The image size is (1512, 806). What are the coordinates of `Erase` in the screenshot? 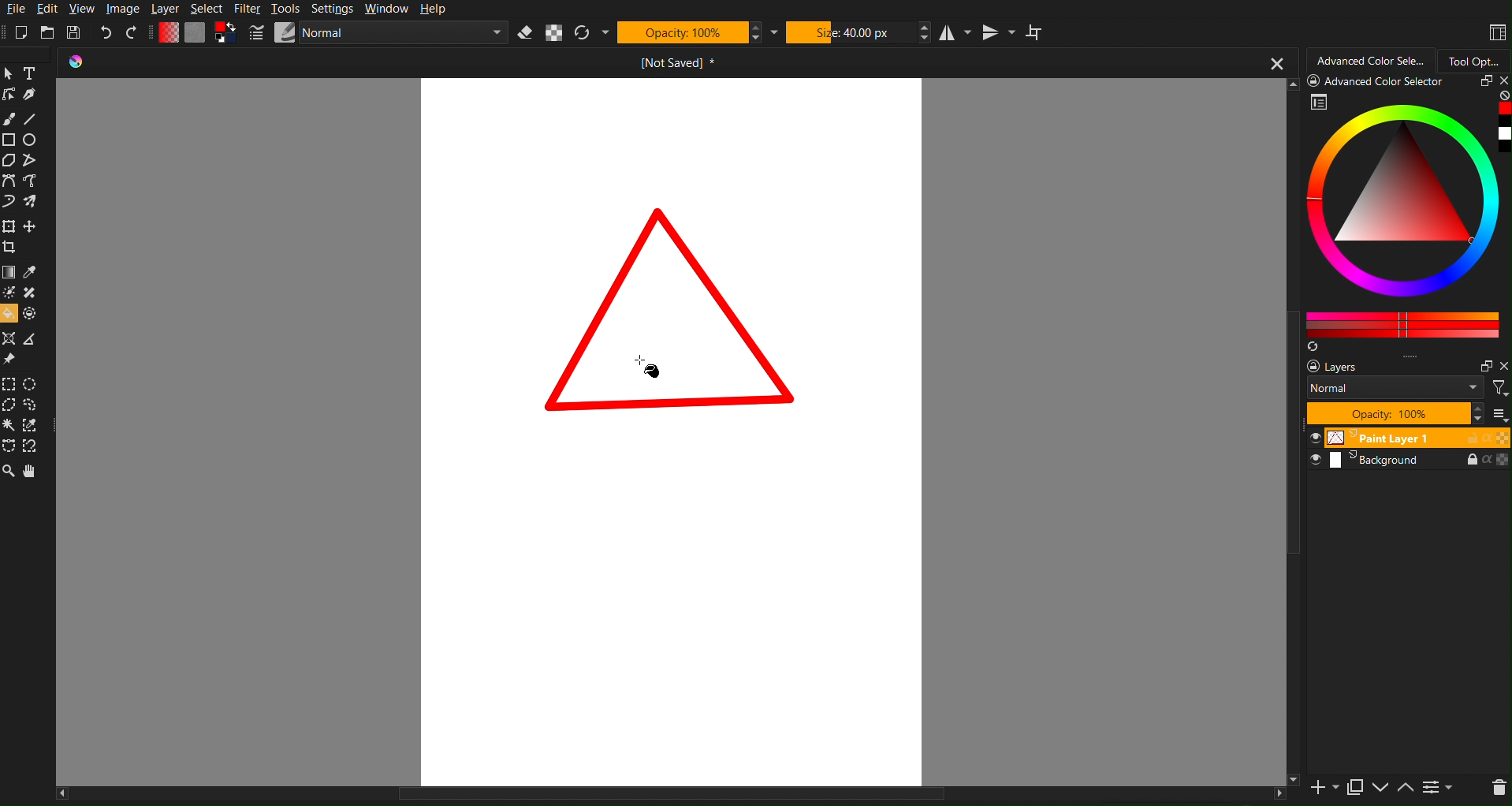 It's located at (525, 33).